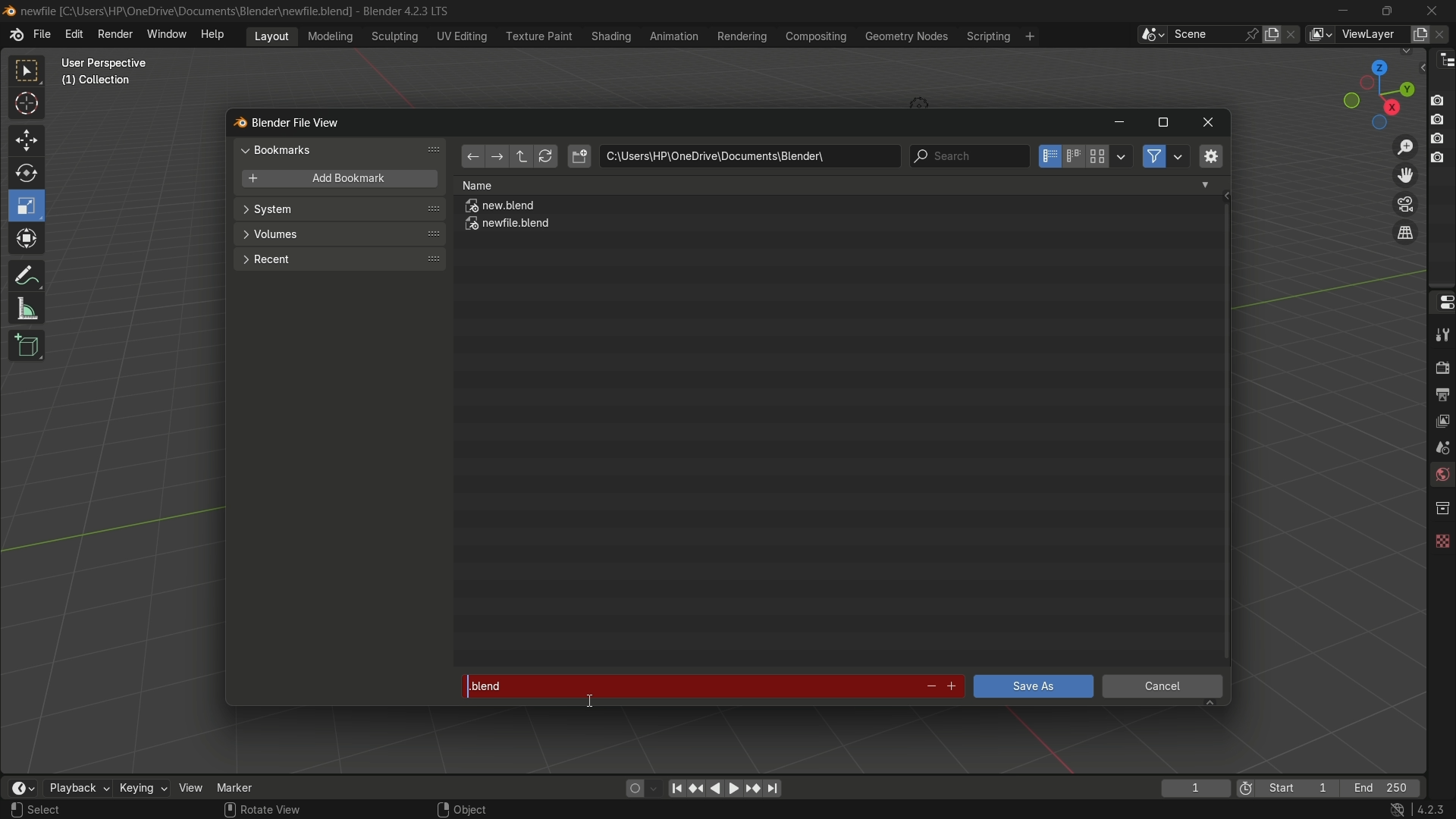  I want to click on browse scenes, so click(1152, 35).